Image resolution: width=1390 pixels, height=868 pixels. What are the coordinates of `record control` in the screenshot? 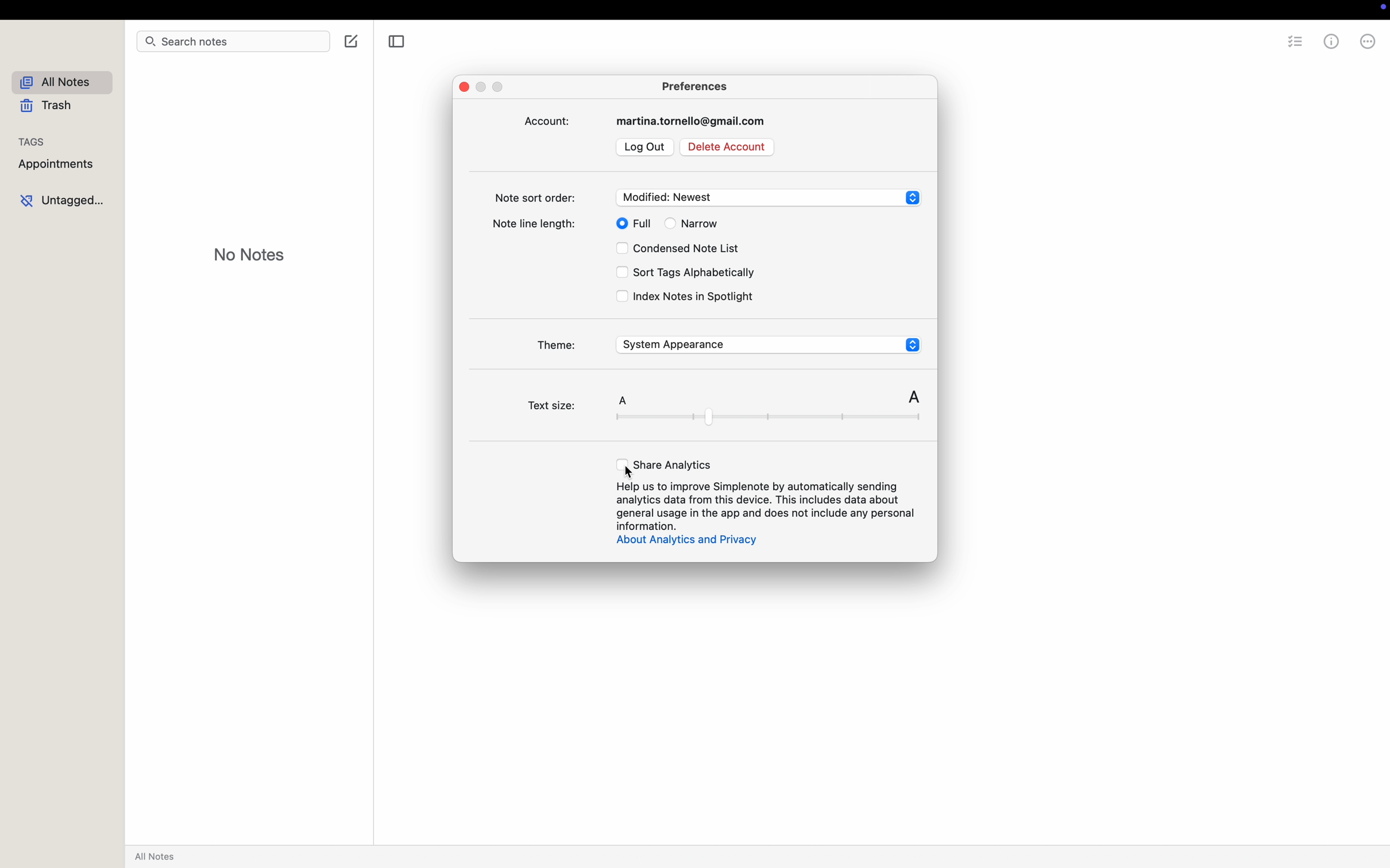 It's located at (1381, 9).